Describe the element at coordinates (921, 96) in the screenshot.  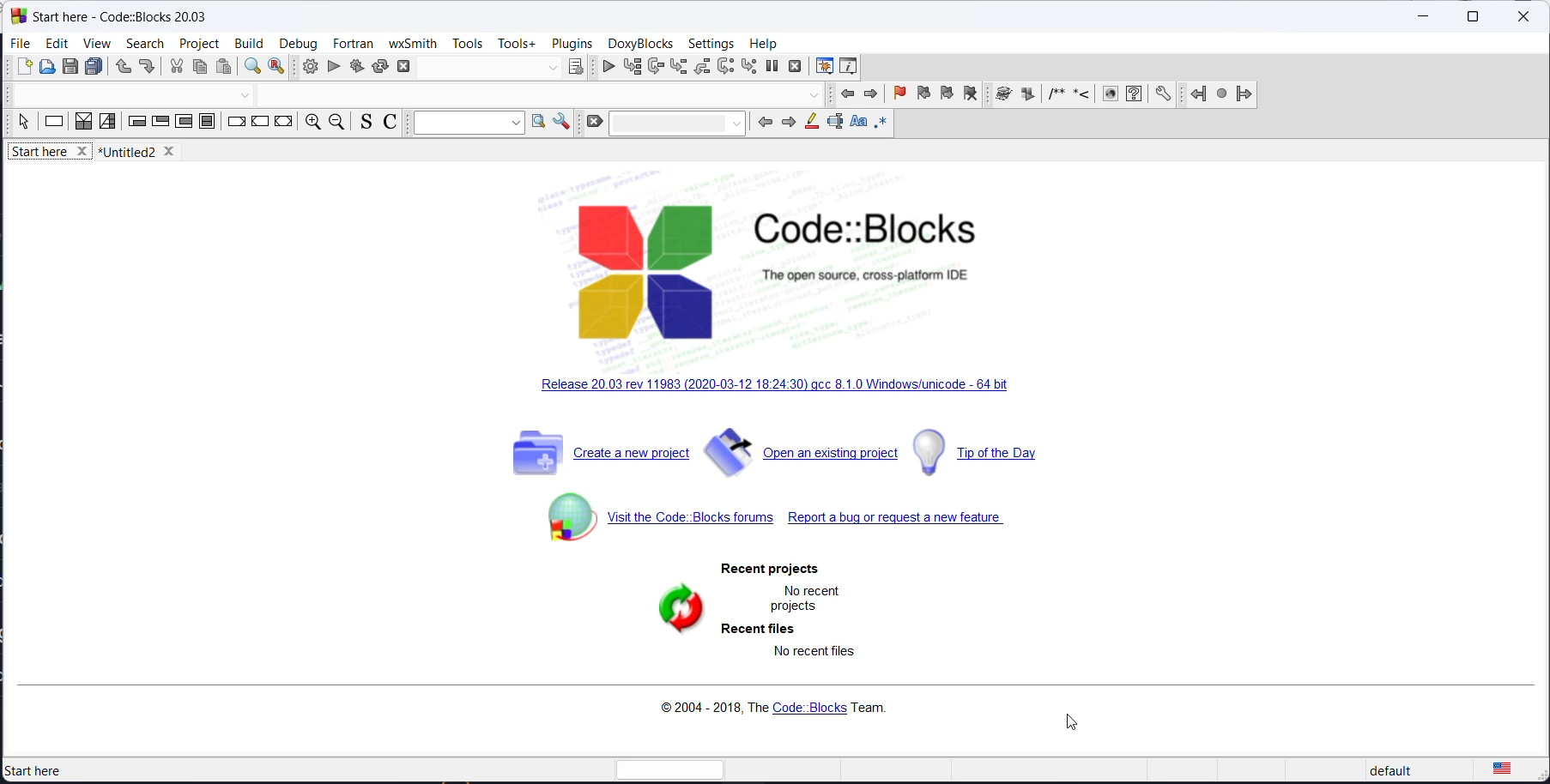
I see `previous bookmark` at that location.